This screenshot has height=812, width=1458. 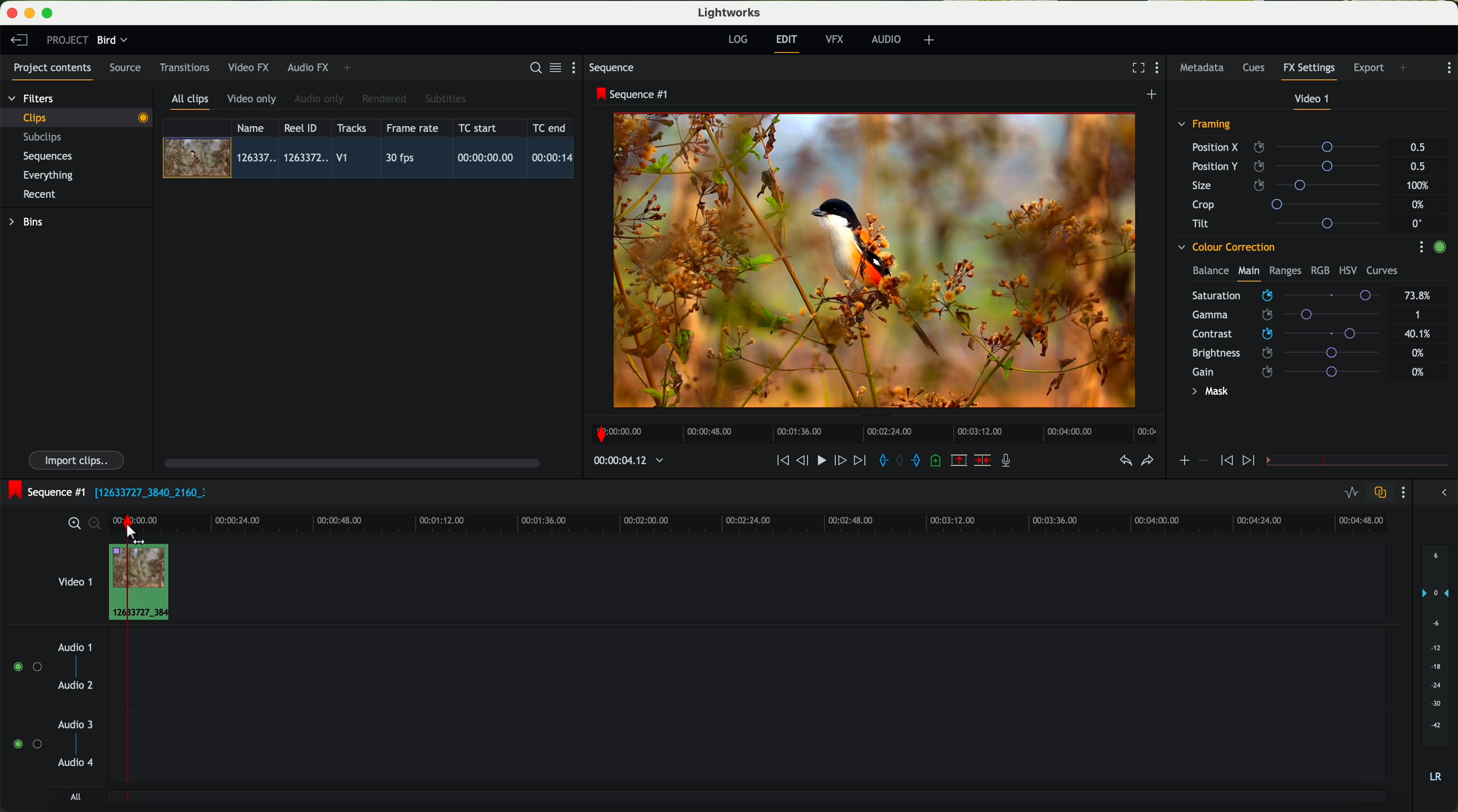 I want to click on gain, so click(x=1293, y=371).